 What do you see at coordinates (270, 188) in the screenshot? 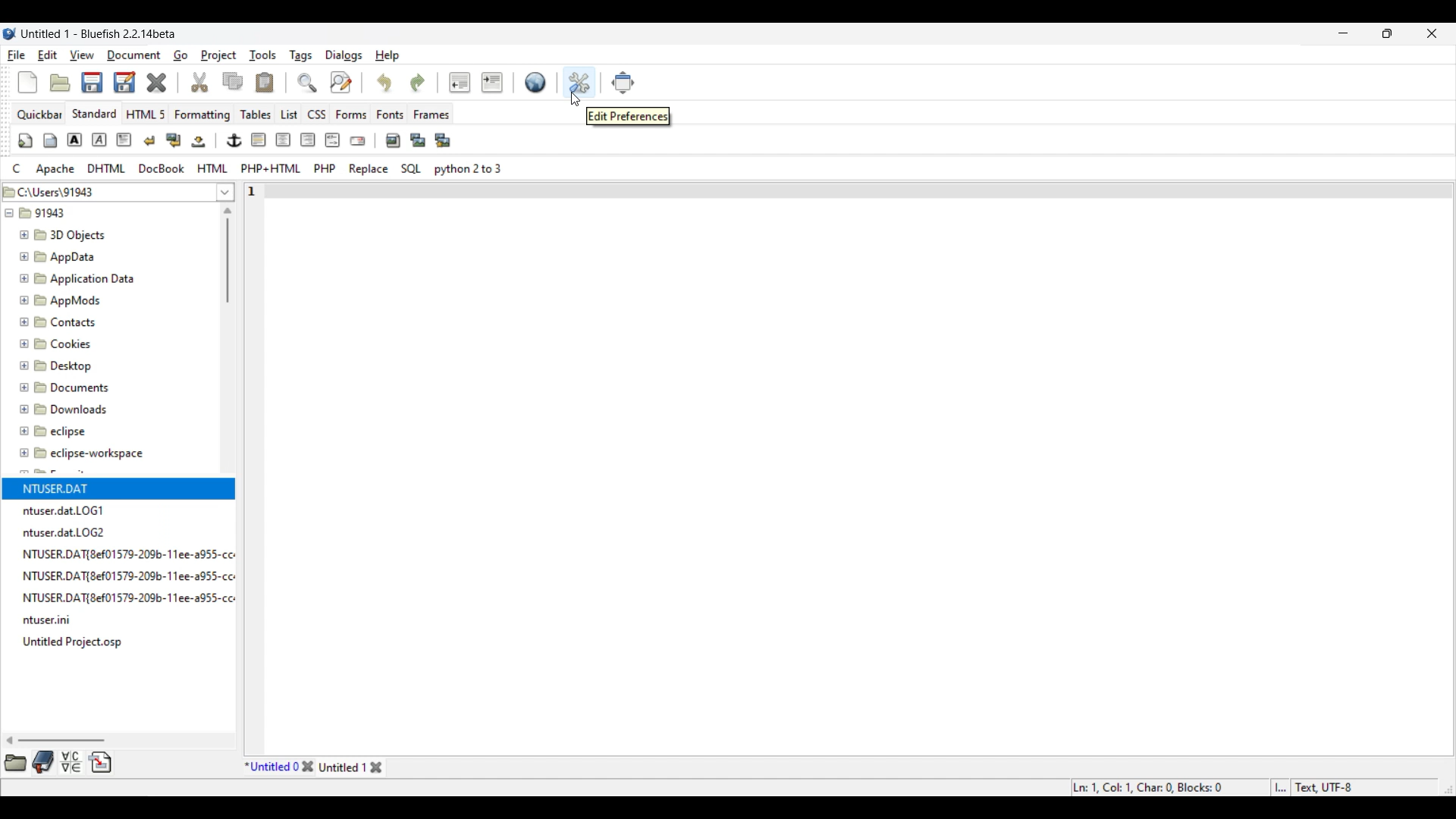
I see `1` at bounding box center [270, 188].